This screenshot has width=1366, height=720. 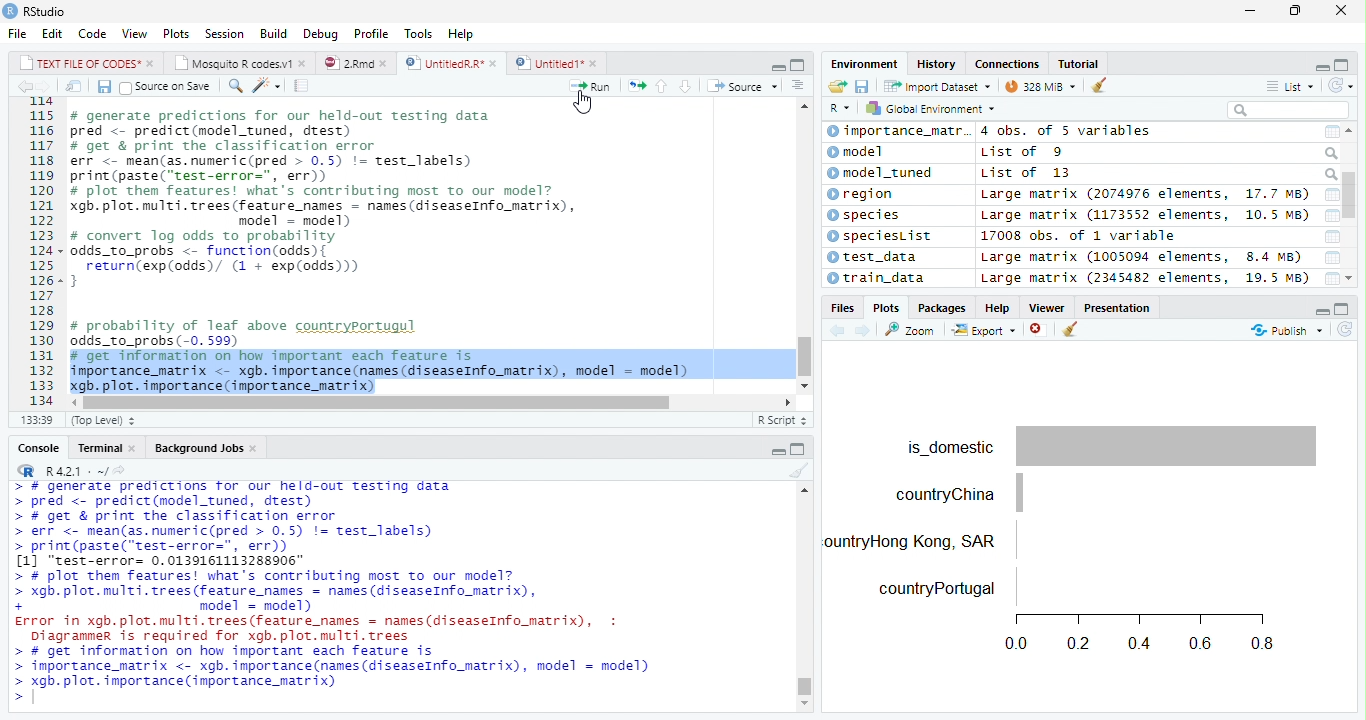 I want to click on Presentation, so click(x=1119, y=306).